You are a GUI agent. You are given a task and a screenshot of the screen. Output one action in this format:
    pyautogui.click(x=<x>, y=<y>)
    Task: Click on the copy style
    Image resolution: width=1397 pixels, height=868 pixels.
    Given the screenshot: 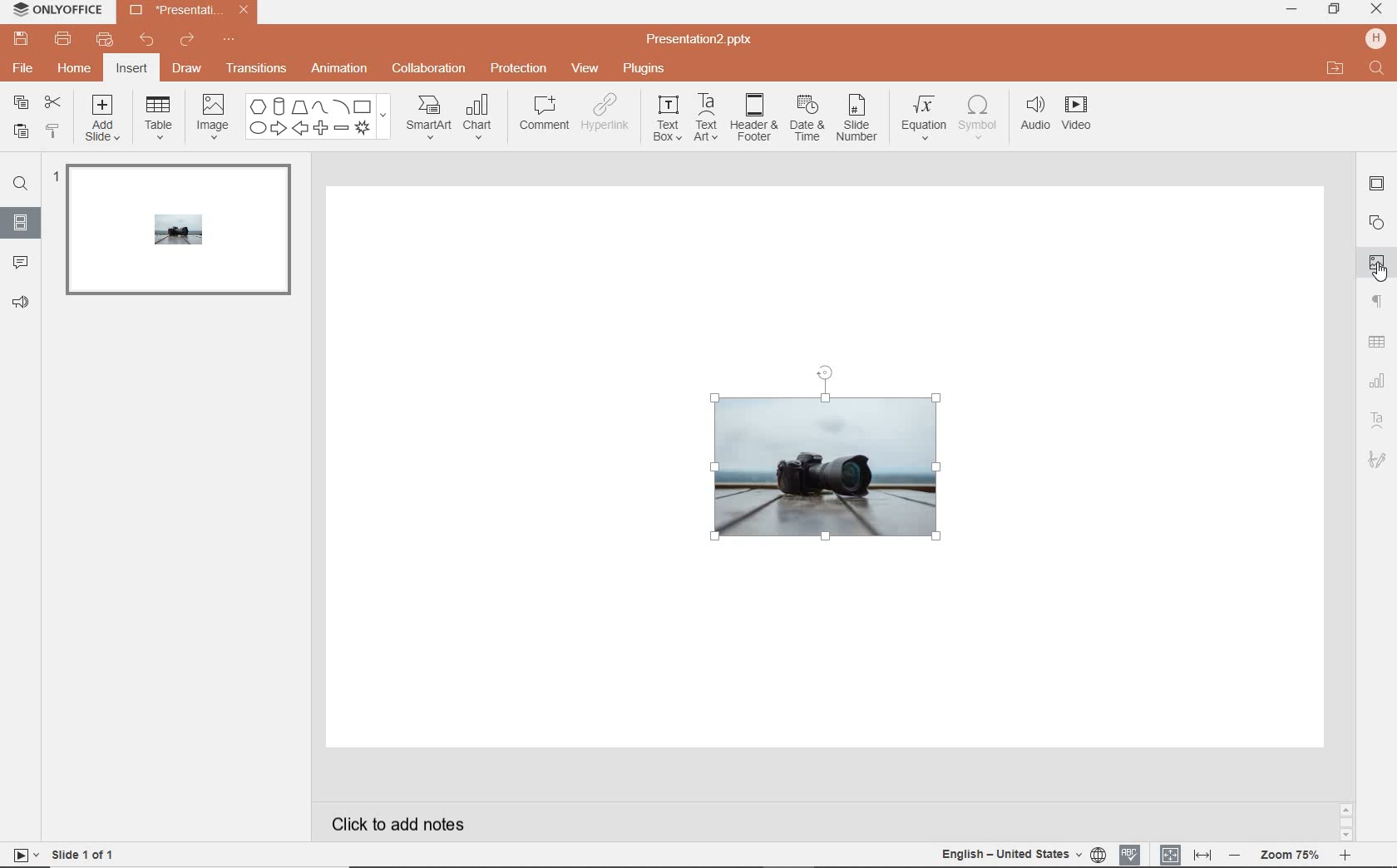 What is the action you would take?
    pyautogui.click(x=54, y=131)
    